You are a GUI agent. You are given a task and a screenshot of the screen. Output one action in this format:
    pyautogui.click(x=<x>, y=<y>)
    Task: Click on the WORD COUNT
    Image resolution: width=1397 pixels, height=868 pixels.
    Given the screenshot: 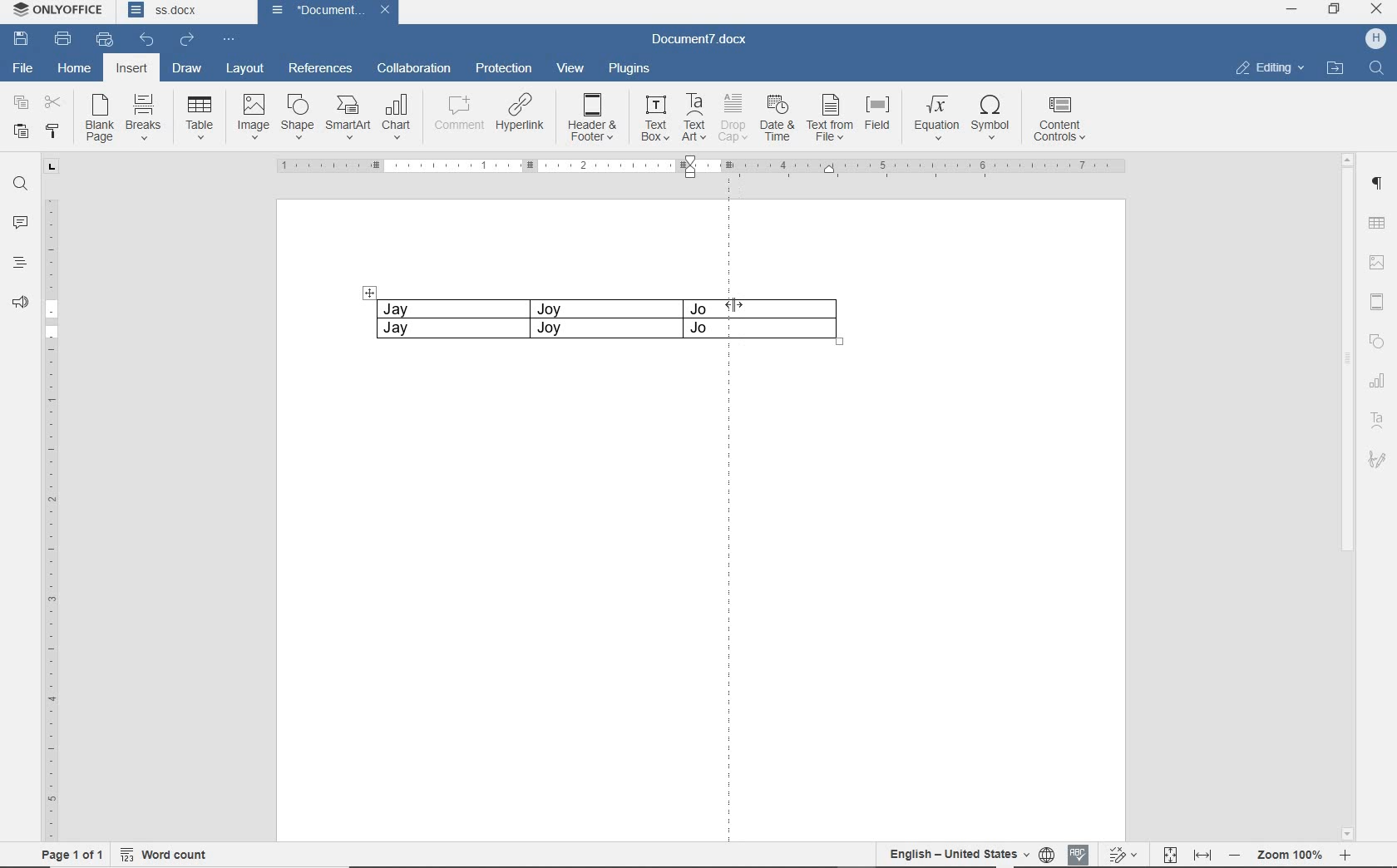 What is the action you would take?
    pyautogui.click(x=167, y=852)
    